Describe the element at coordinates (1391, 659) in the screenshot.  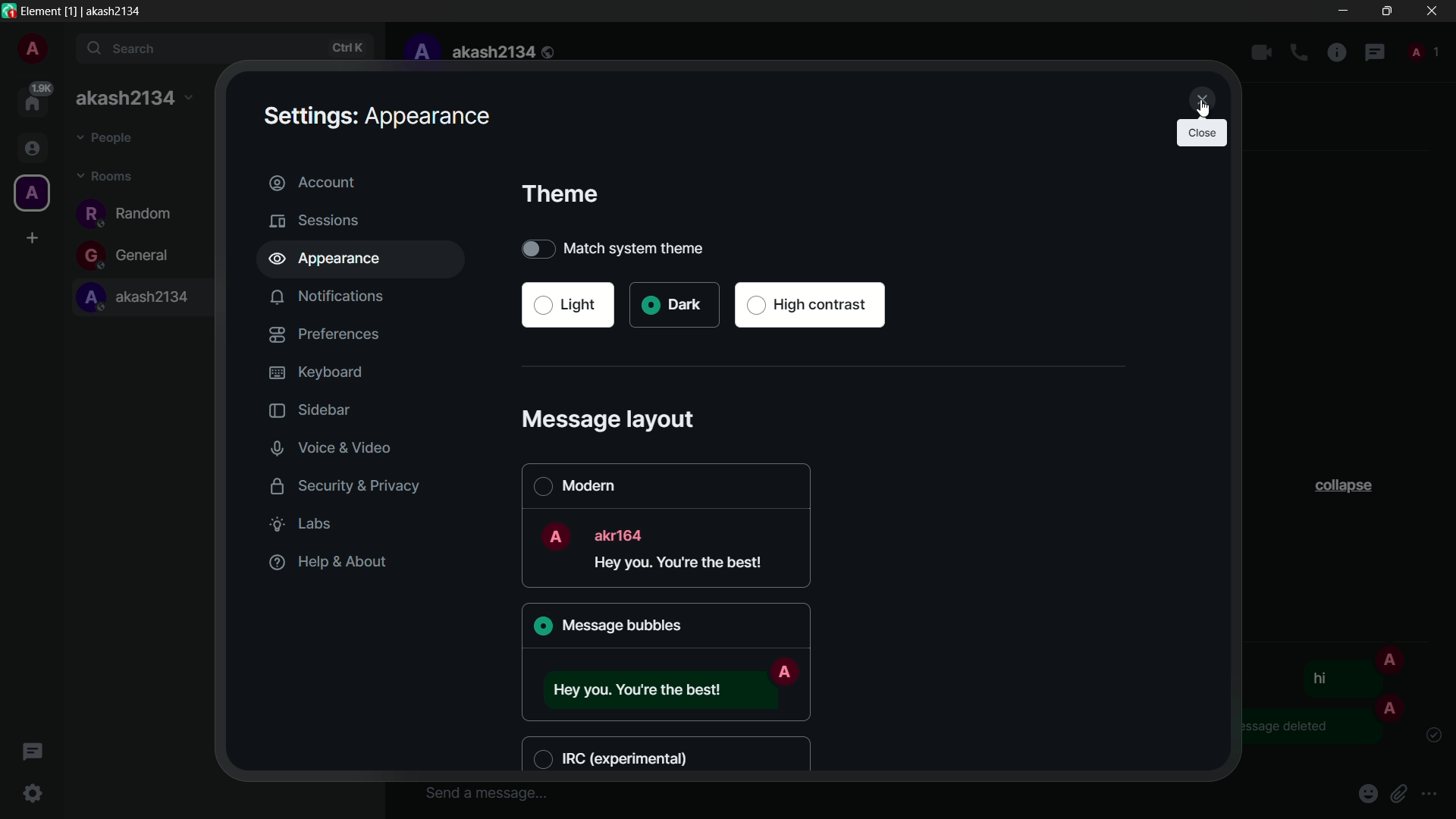
I see `profile icon` at that location.